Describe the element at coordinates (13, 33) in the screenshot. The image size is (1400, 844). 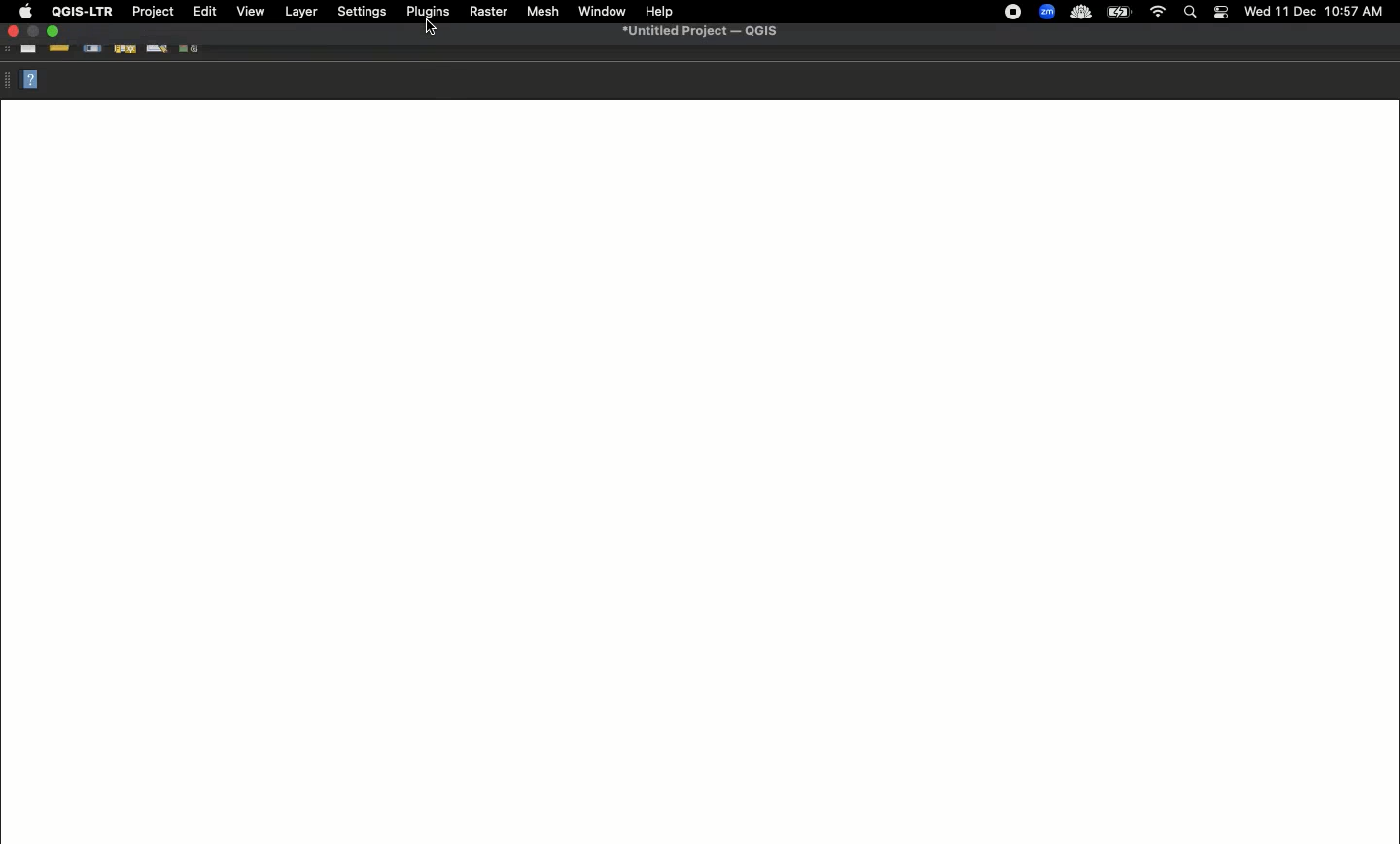
I see `Close` at that location.